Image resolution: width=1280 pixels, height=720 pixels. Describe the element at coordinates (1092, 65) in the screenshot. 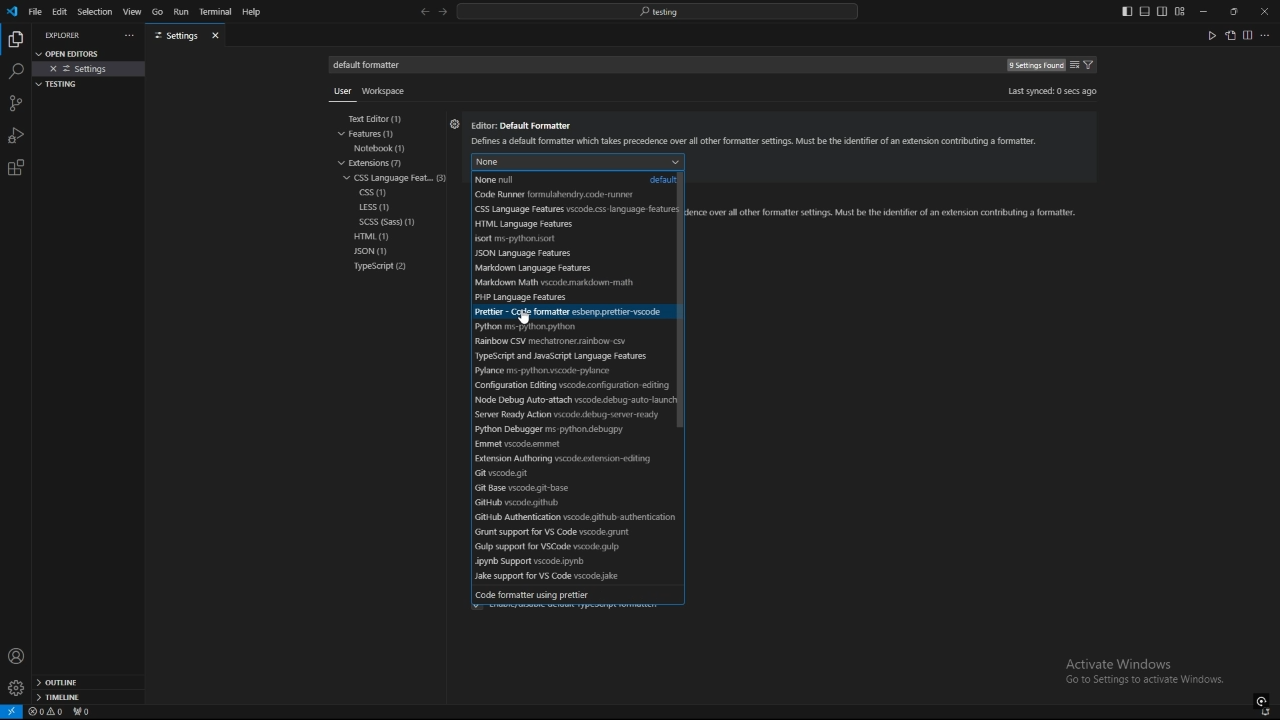

I see `filter settings` at that location.